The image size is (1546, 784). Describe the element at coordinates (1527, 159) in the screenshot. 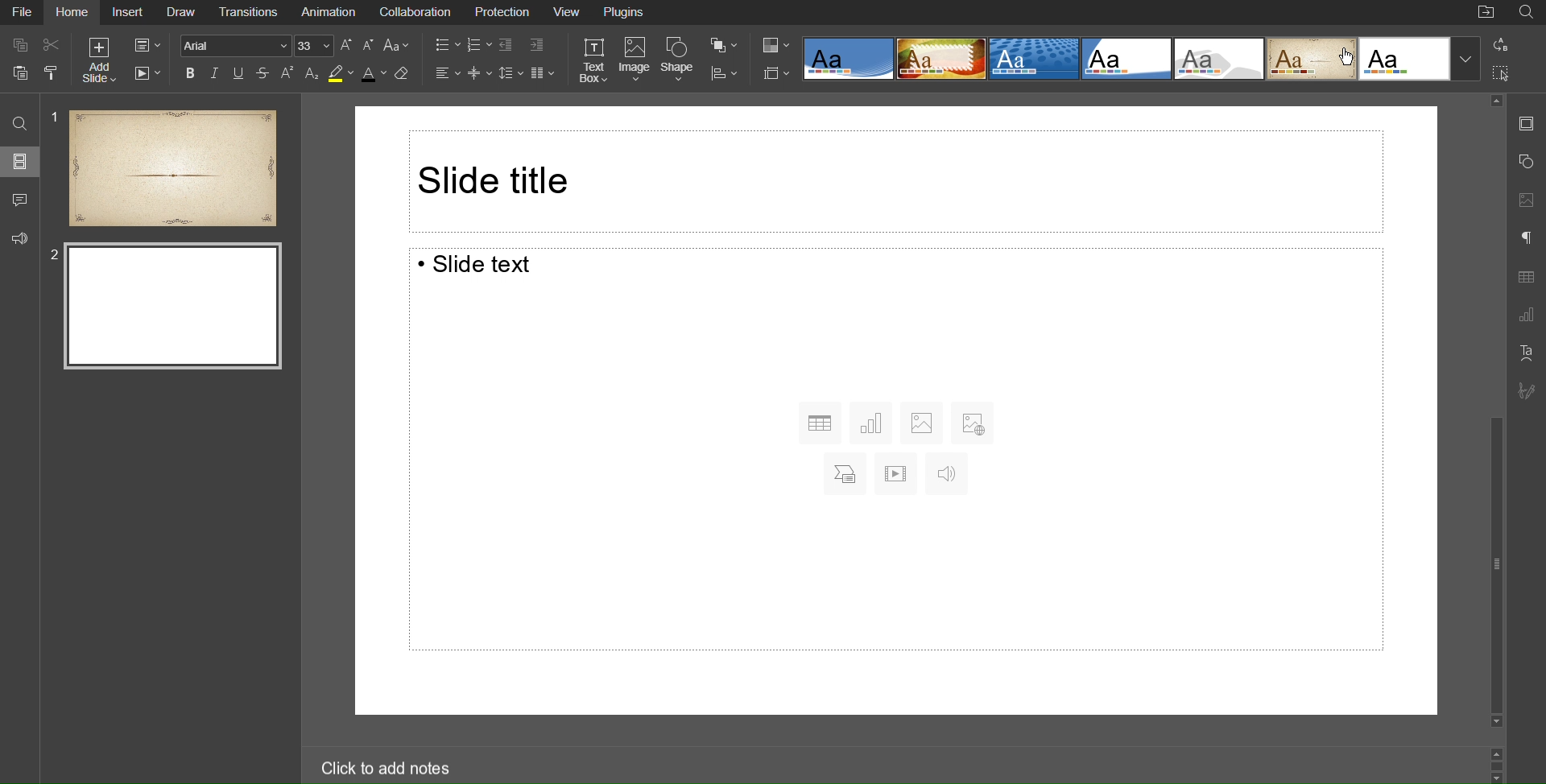

I see `Shape Settings` at that location.